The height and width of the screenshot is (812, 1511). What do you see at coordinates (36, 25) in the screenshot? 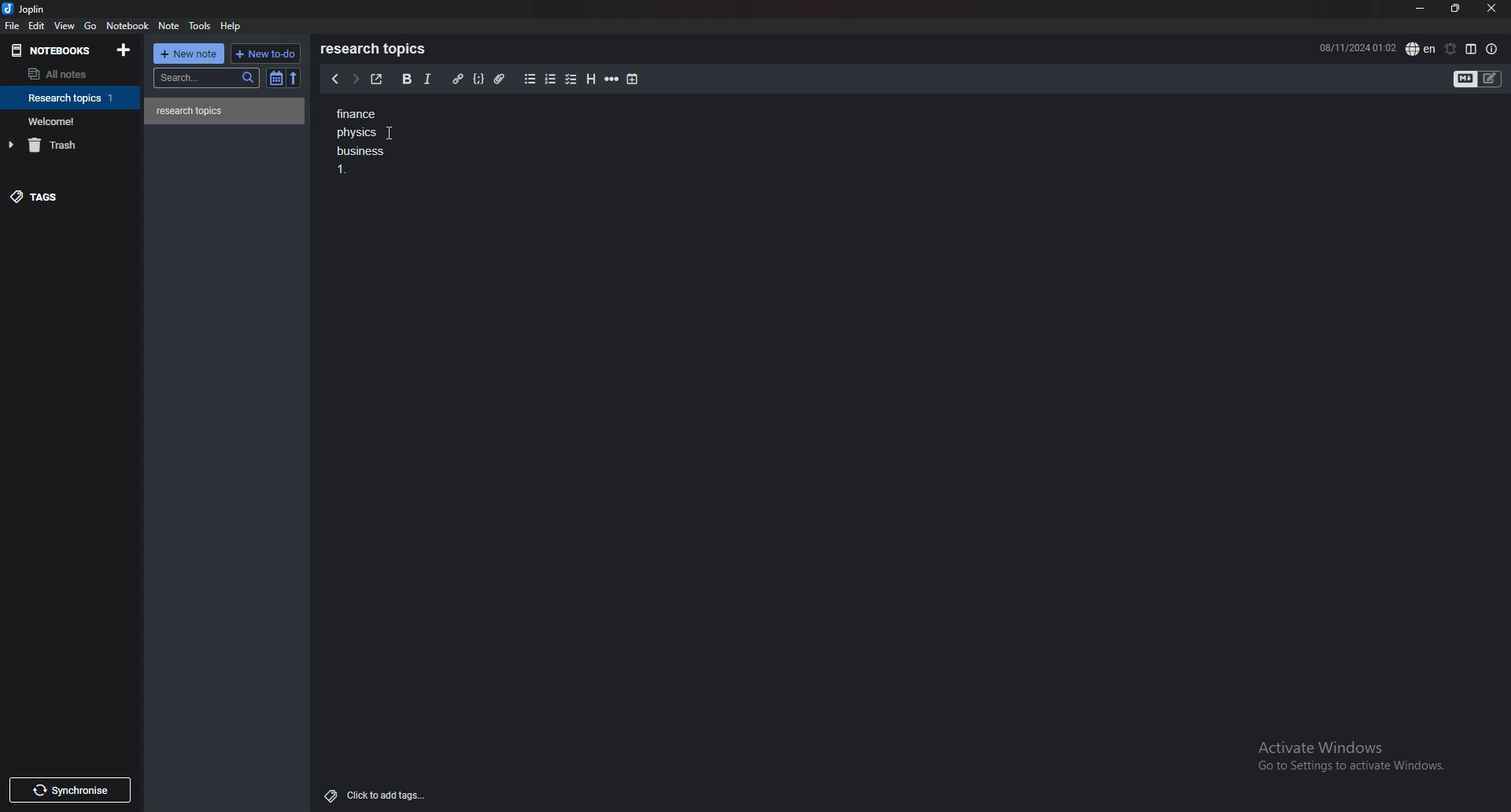
I see `edit` at bounding box center [36, 25].